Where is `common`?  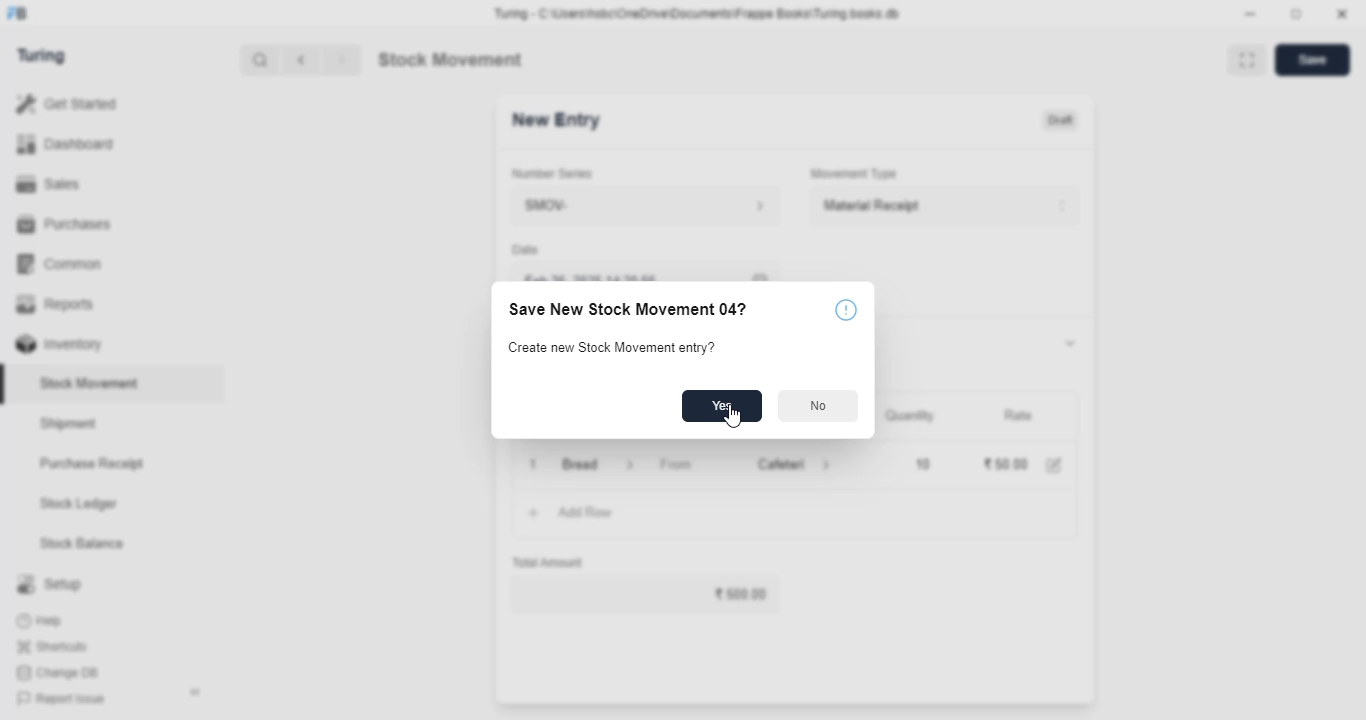
common is located at coordinates (62, 264).